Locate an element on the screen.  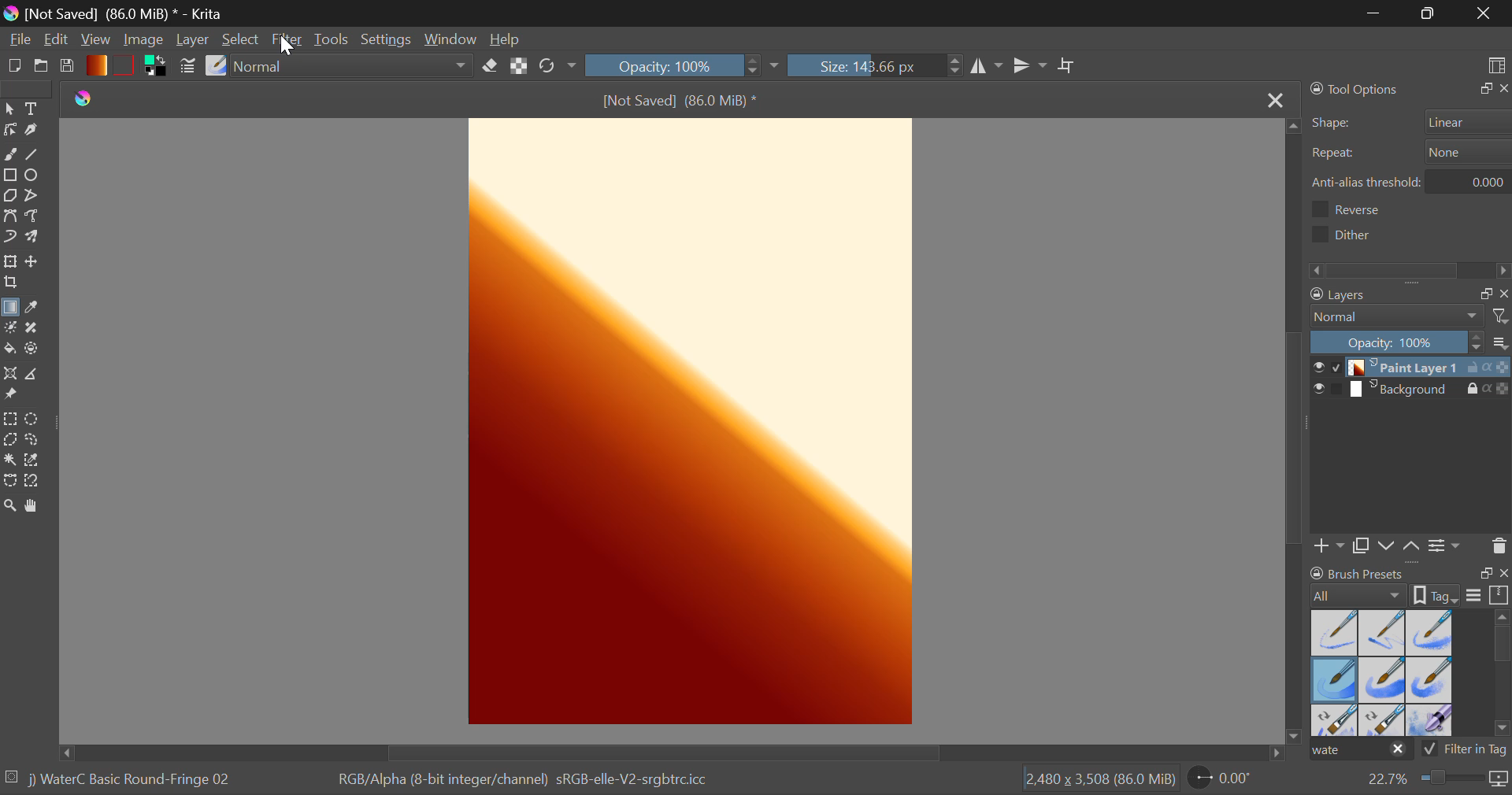
enable background is located at coordinates (1338, 393).